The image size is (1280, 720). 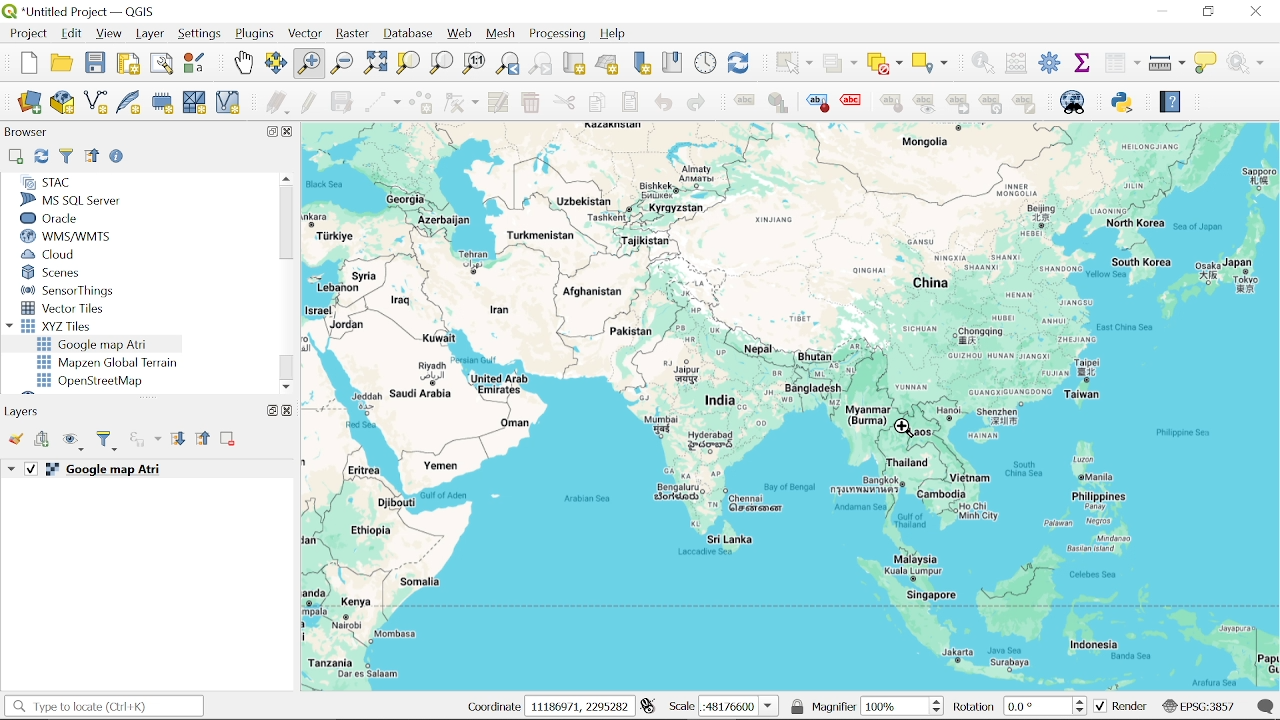 I want to click on Vector, so click(x=306, y=35).